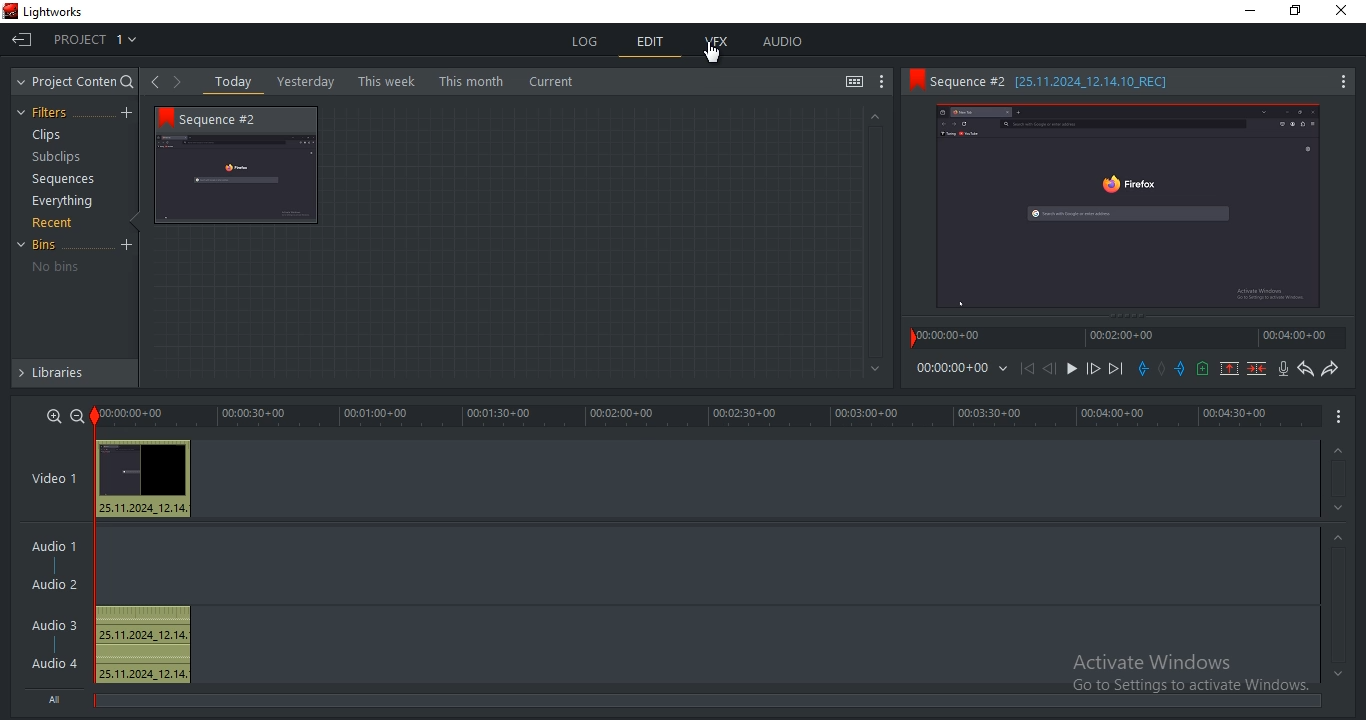 The width and height of the screenshot is (1366, 720). What do you see at coordinates (63, 178) in the screenshot?
I see `sequences` at bounding box center [63, 178].